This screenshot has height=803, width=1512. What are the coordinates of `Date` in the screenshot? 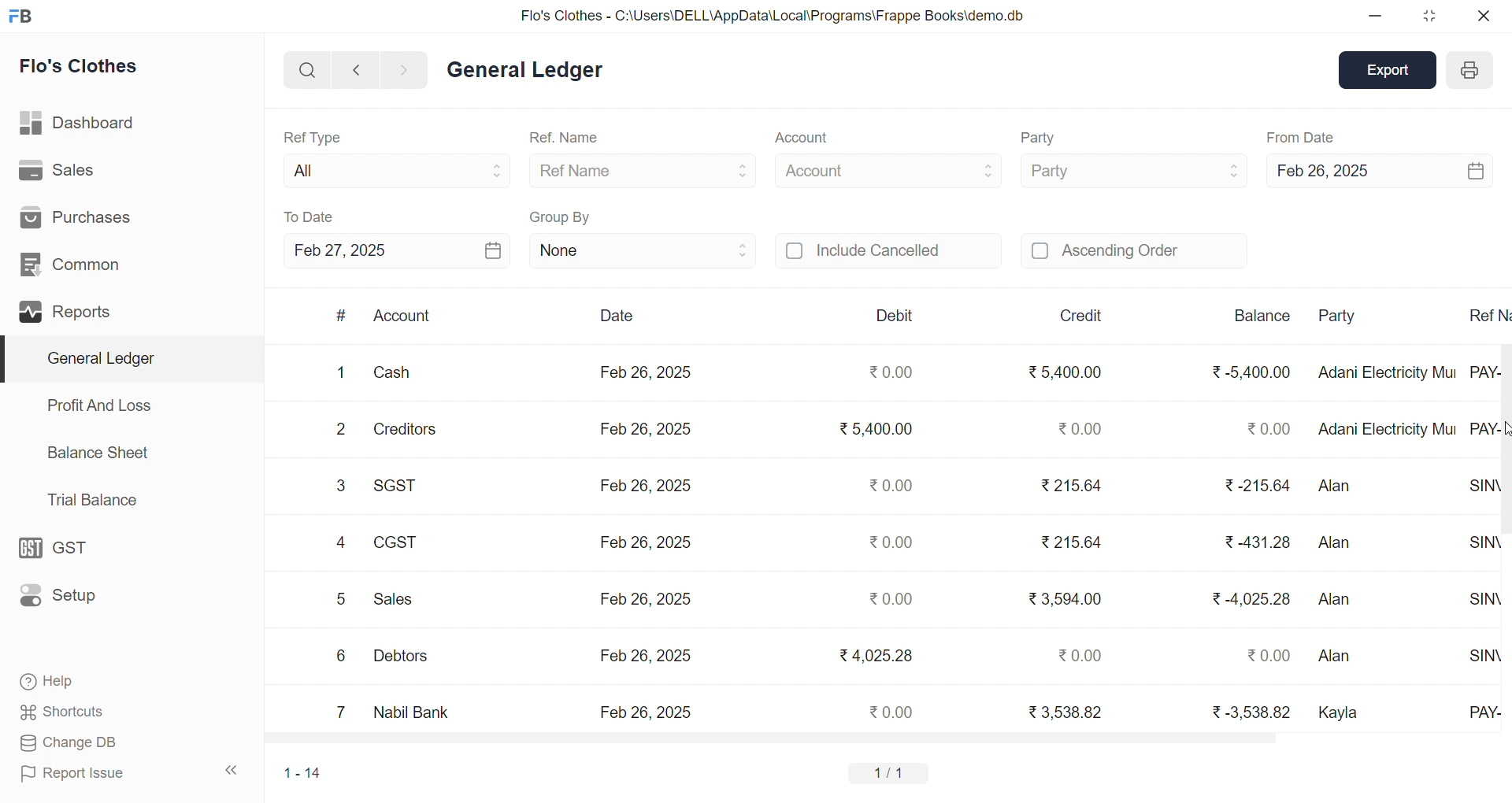 It's located at (616, 316).